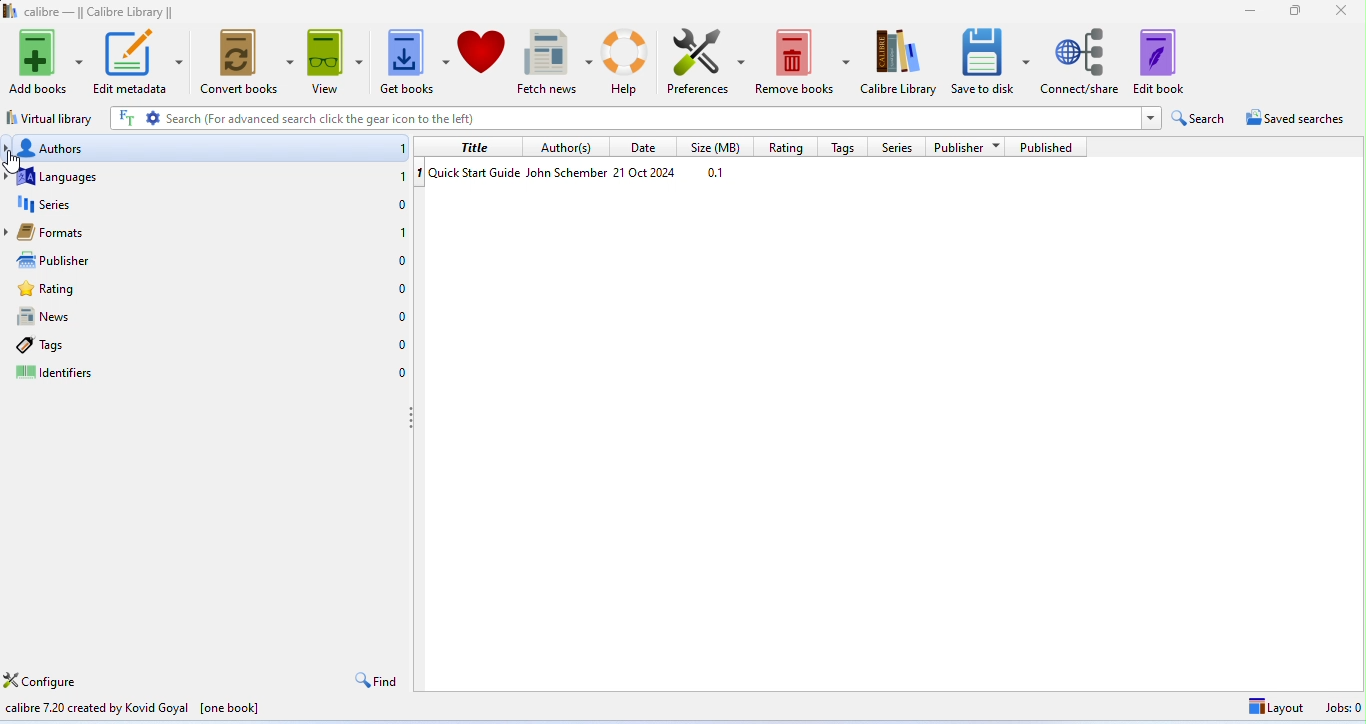 This screenshot has width=1366, height=724. What do you see at coordinates (378, 683) in the screenshot?
I see `find` at bounding box center [378, 683].